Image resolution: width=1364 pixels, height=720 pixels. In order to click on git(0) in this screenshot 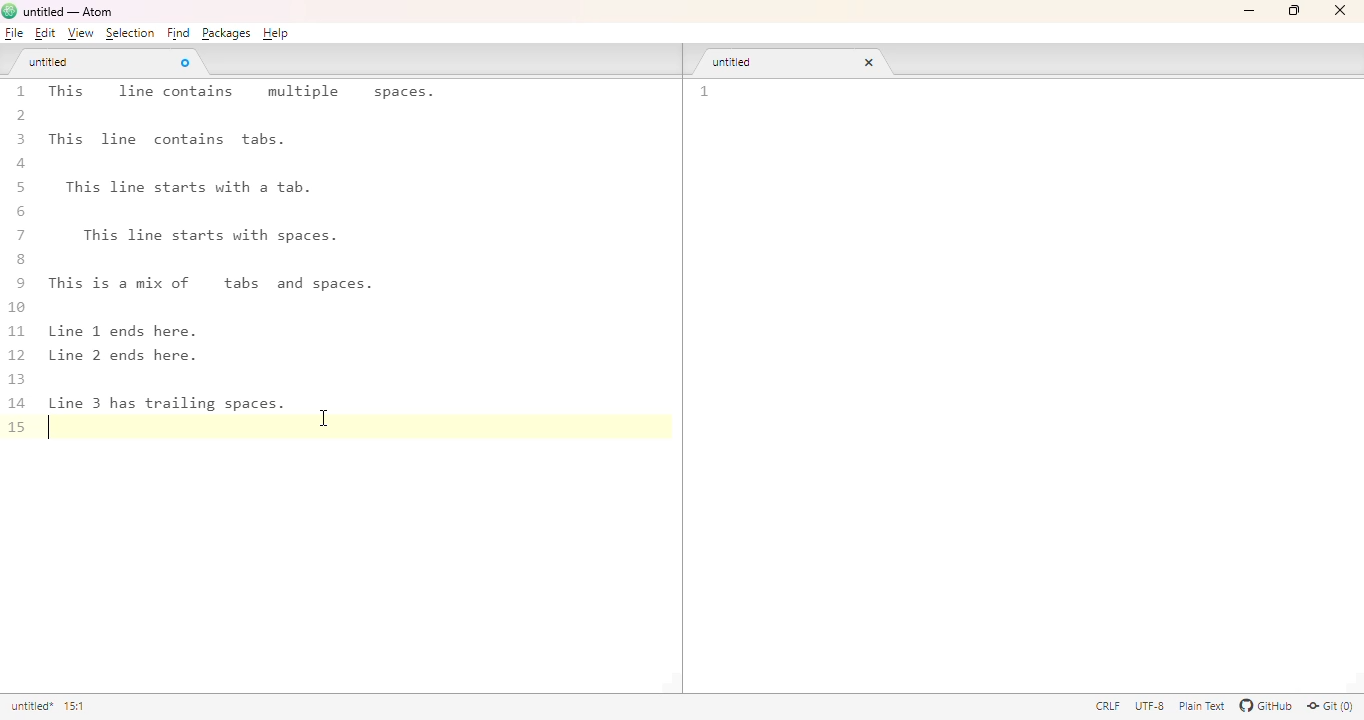, I will do `click(1330, 707)`.